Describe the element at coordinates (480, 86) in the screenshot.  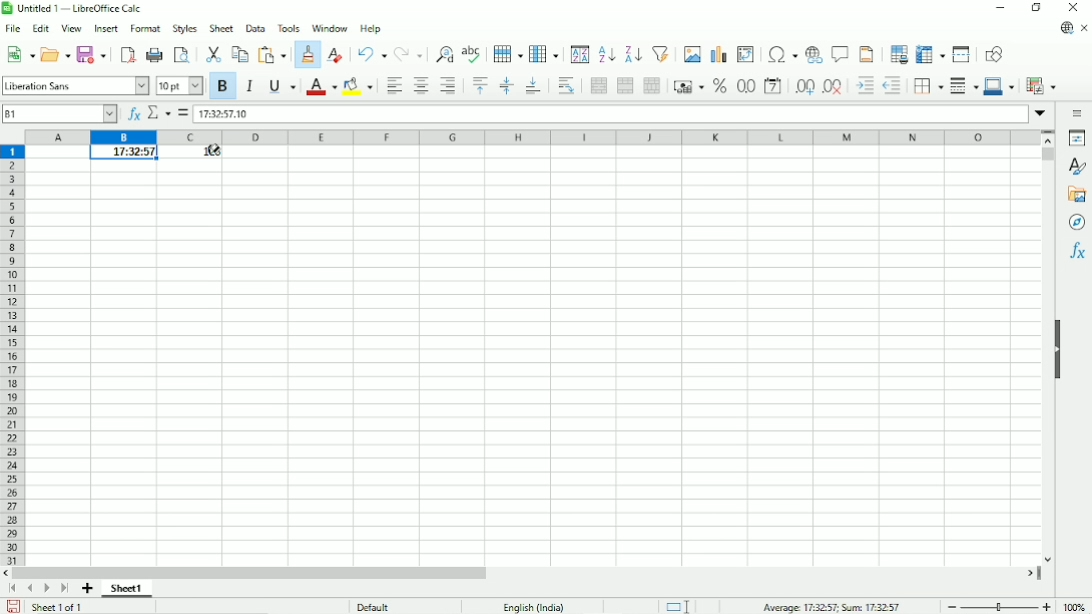
I see `Align top` at that location.